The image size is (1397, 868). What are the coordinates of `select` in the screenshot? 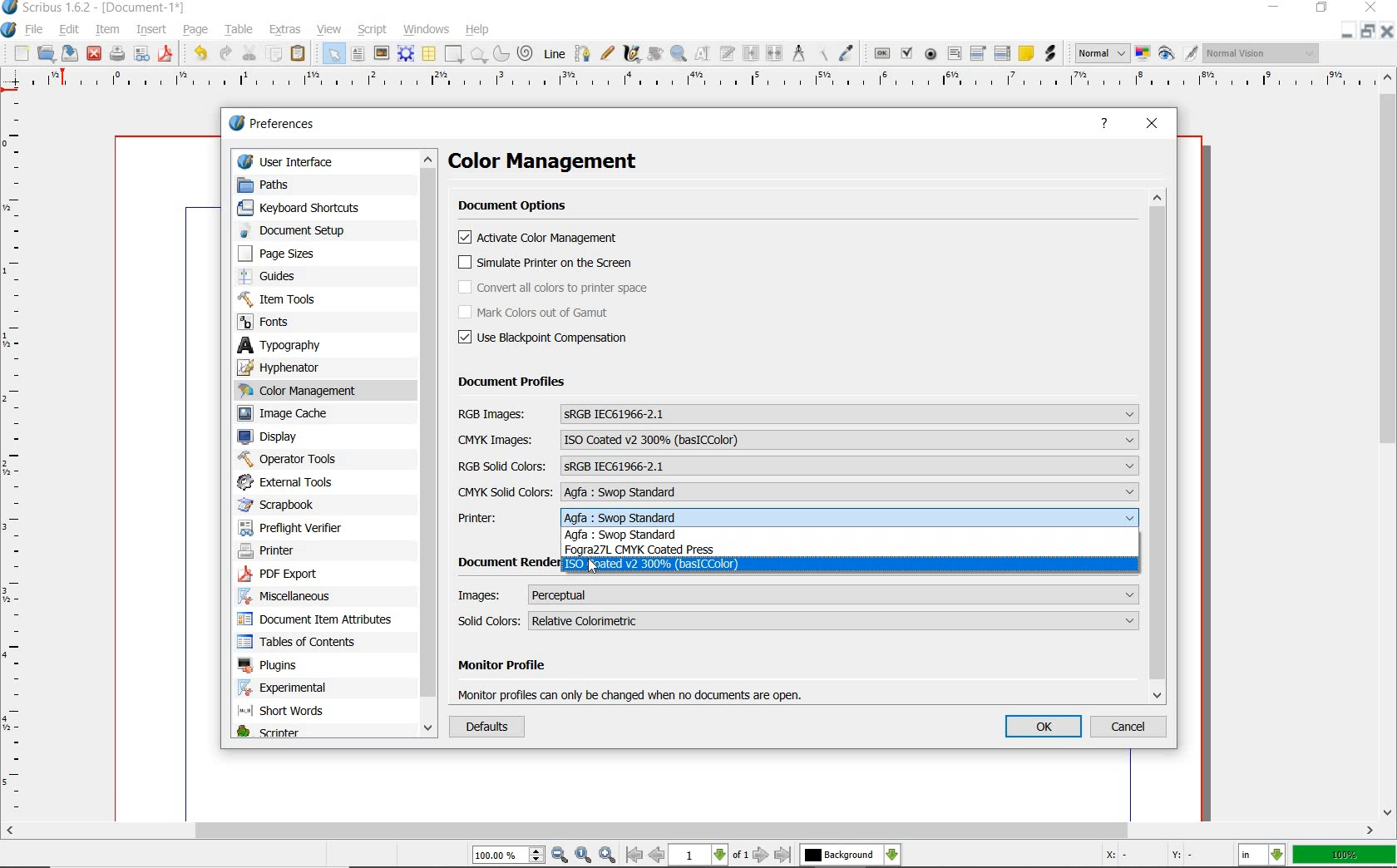 It's located at (333, 55).